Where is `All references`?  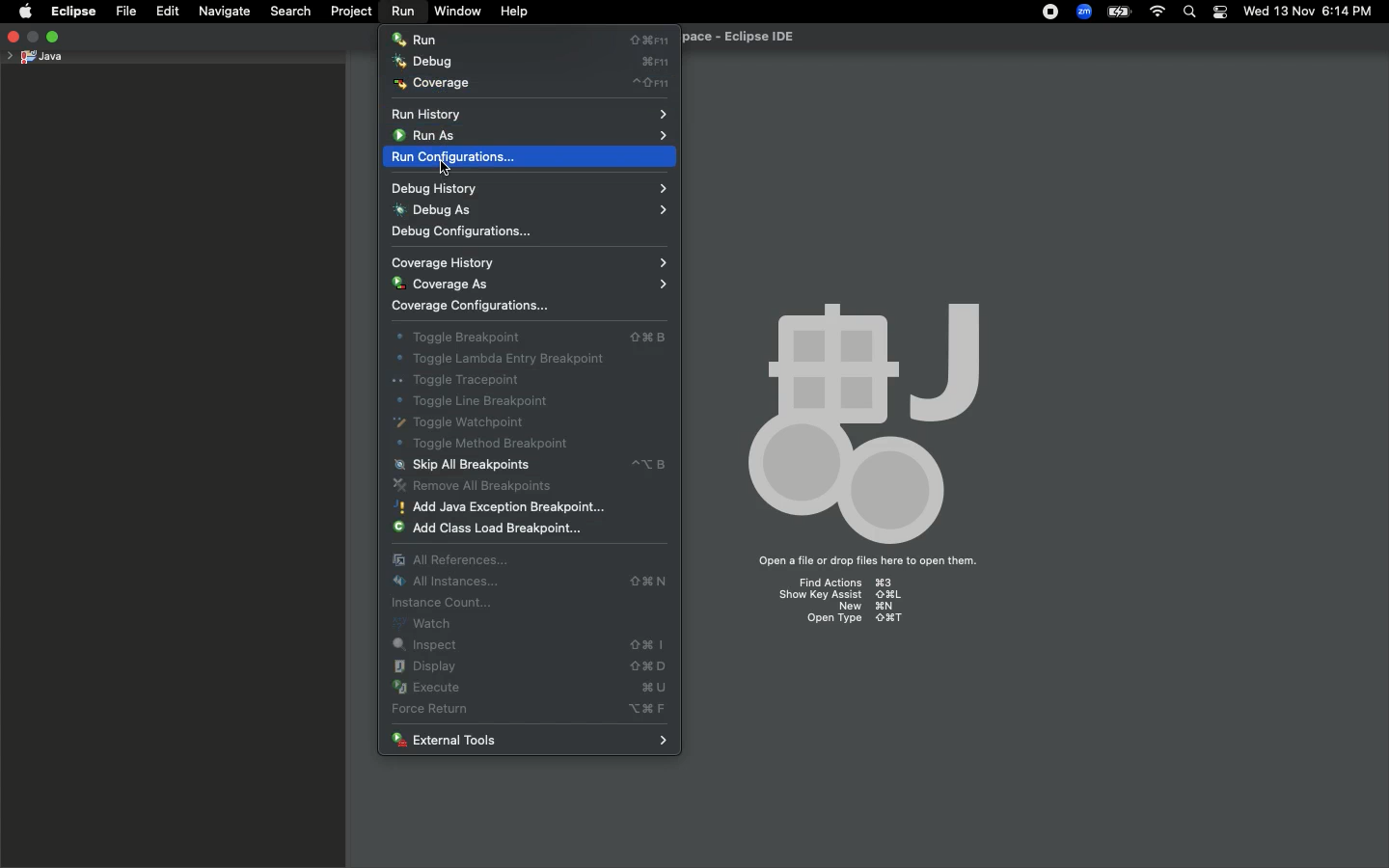 All references is located at coordinates (450, 561).